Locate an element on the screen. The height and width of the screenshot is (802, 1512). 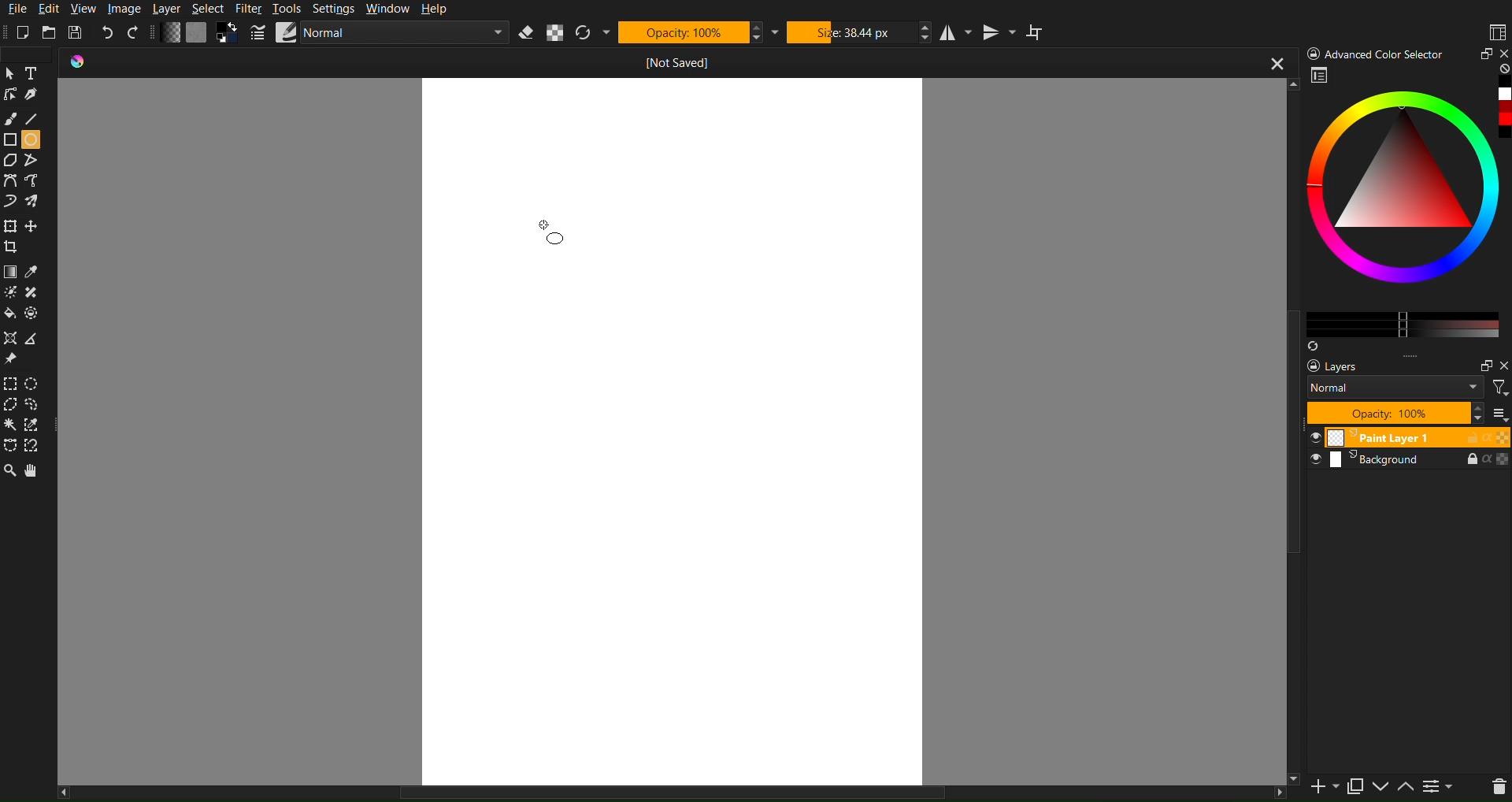
Brightness tool is located at coordinates (9, 295).